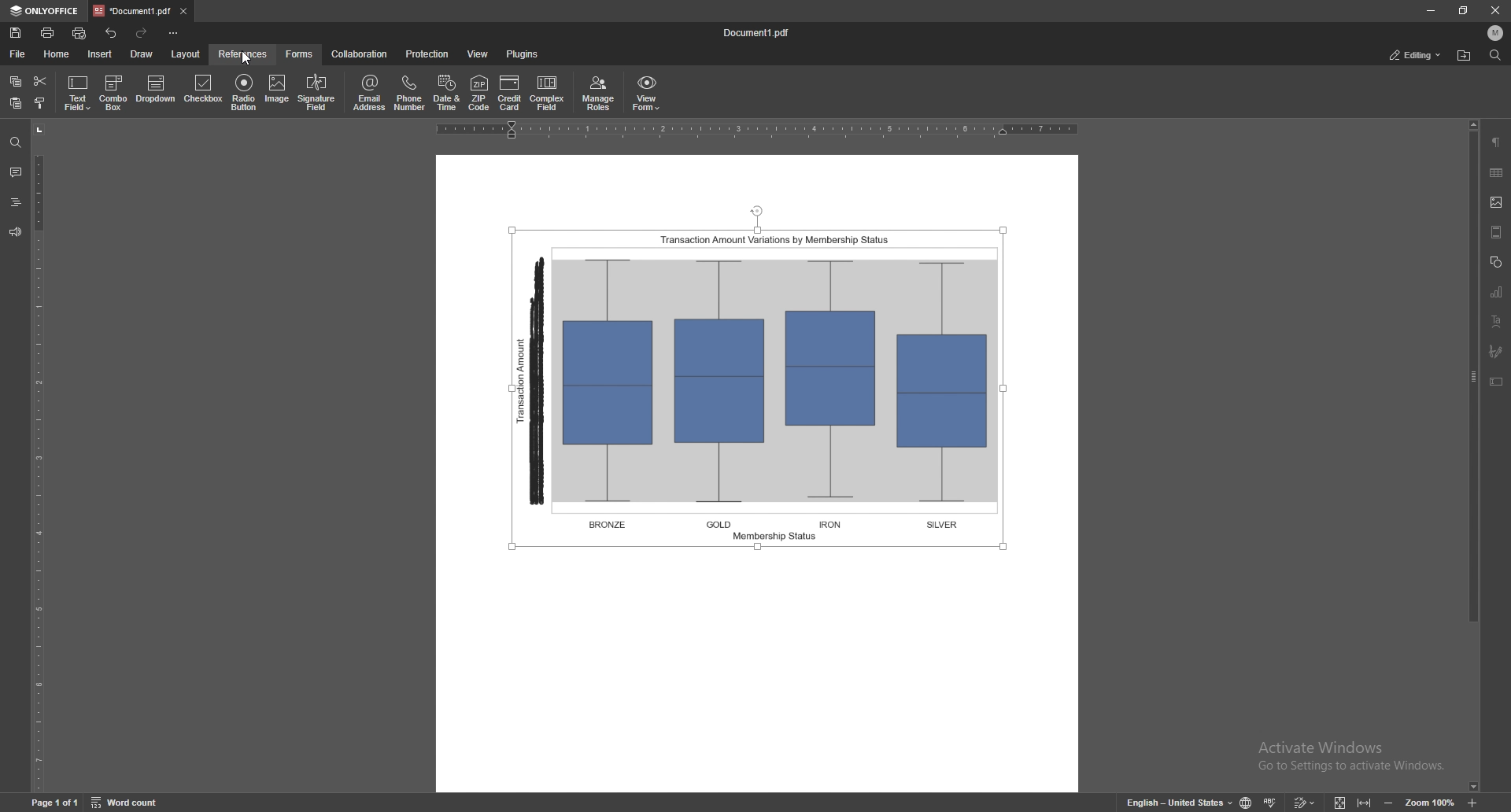 The width and height of the screenshot is (1511, 812). What do you see at coordinates (183, 12) in the screenshot?
I see `close tab` at bounding box center [183, 12].